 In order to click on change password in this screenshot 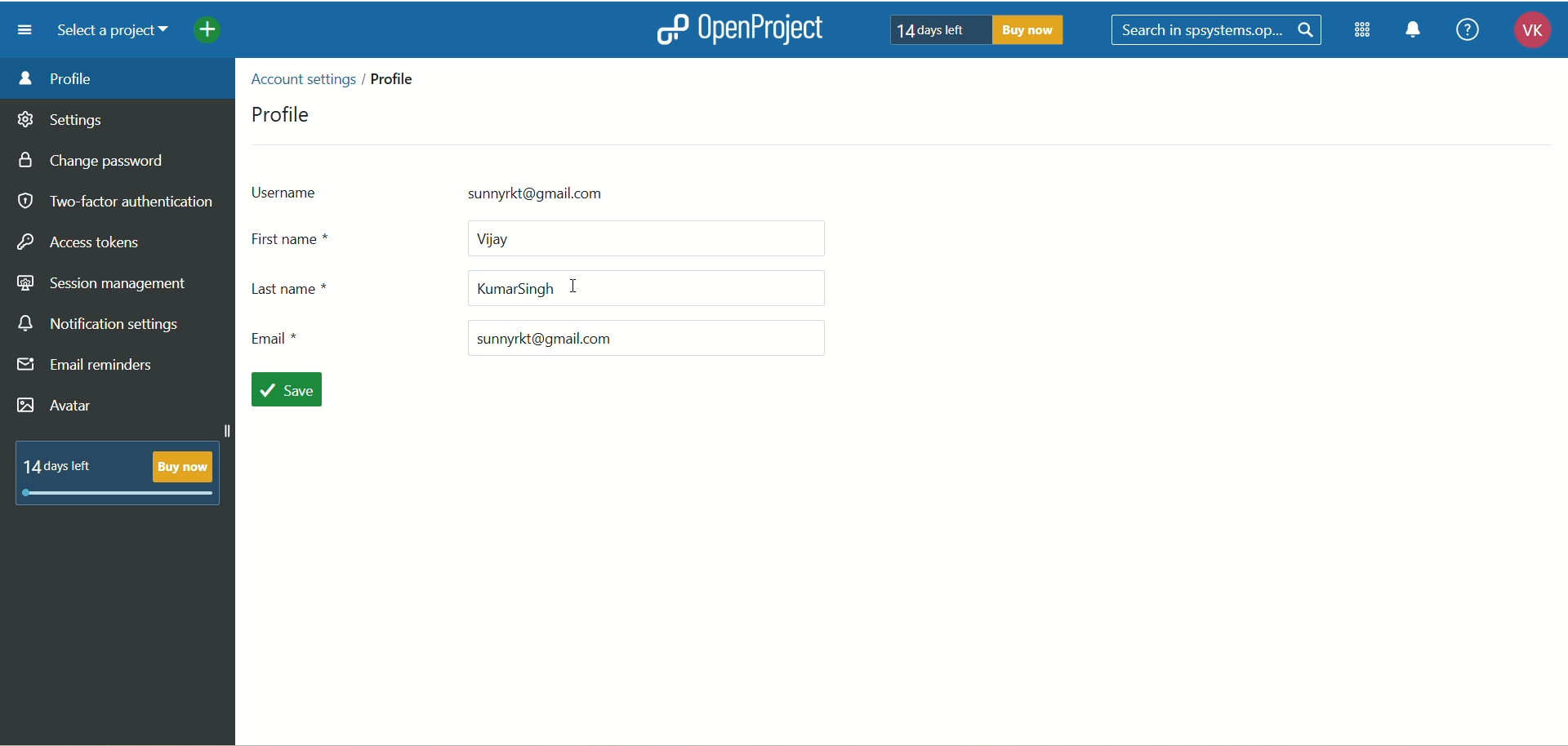, I will do `click(97, 162)`.